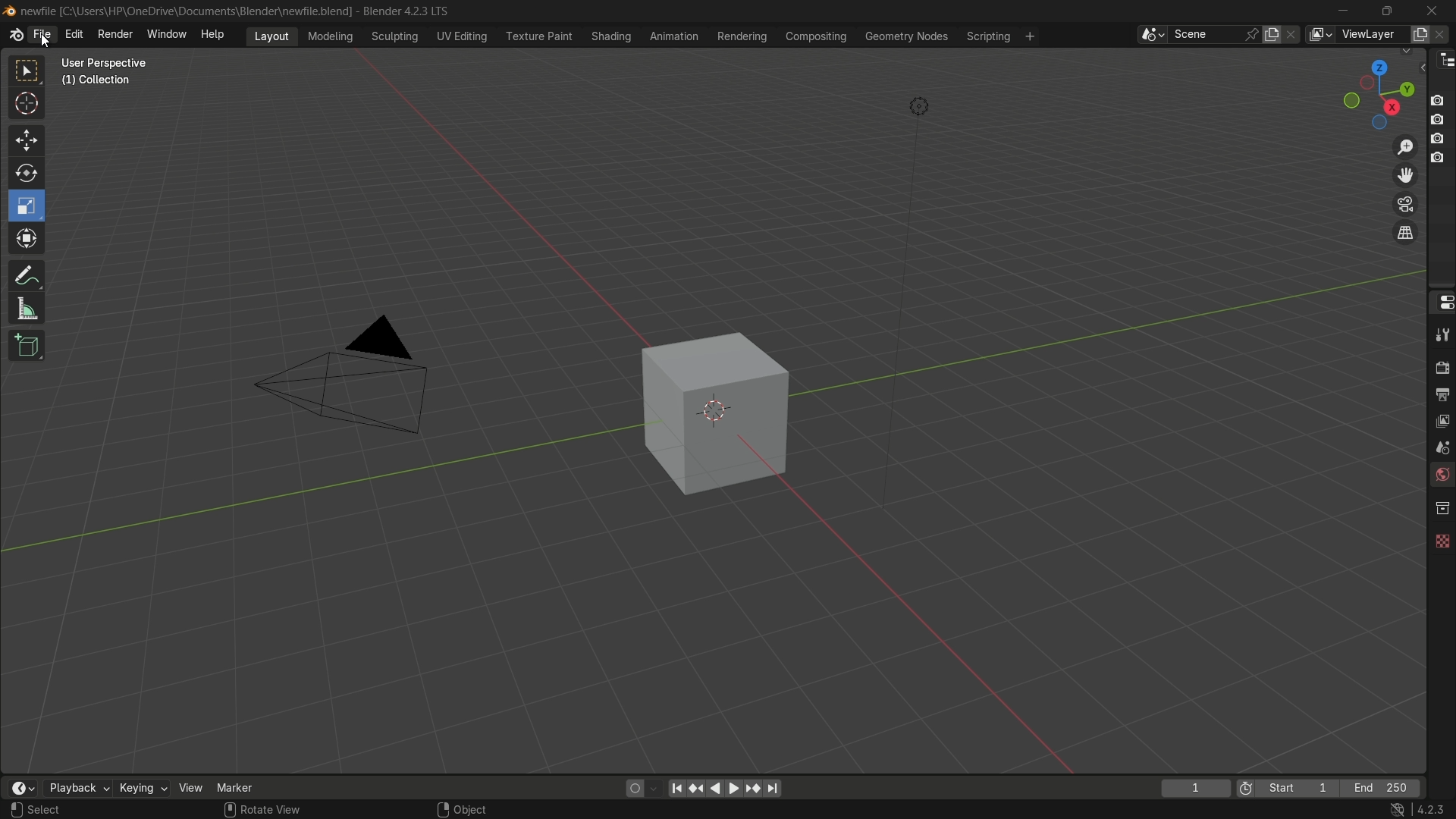 The width and height of the screenshot is (1456, 819). Describe the element at coordinates (28, 71) in the screenshot. I see `select box` at that location.